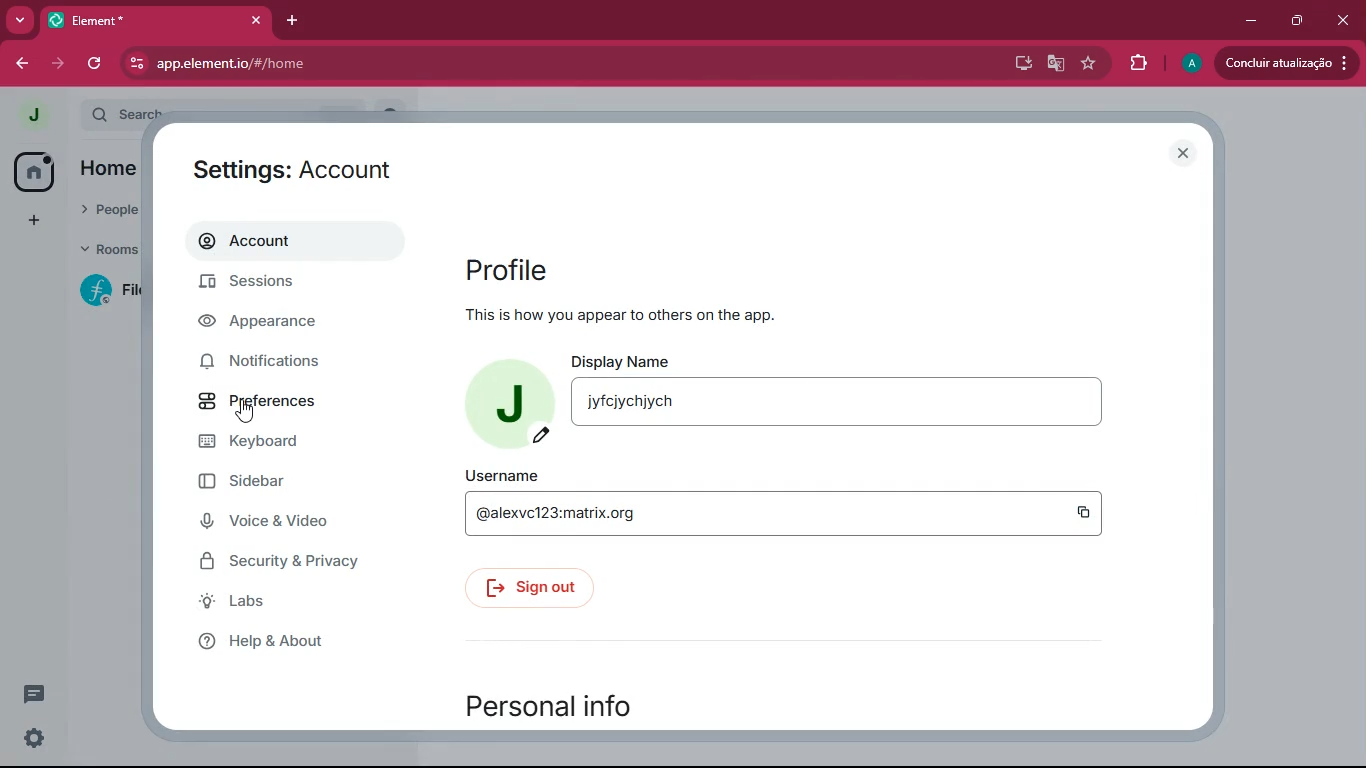 The width and height of the screenshot is (1366, 768). I want to click on search, so click(125, 109).